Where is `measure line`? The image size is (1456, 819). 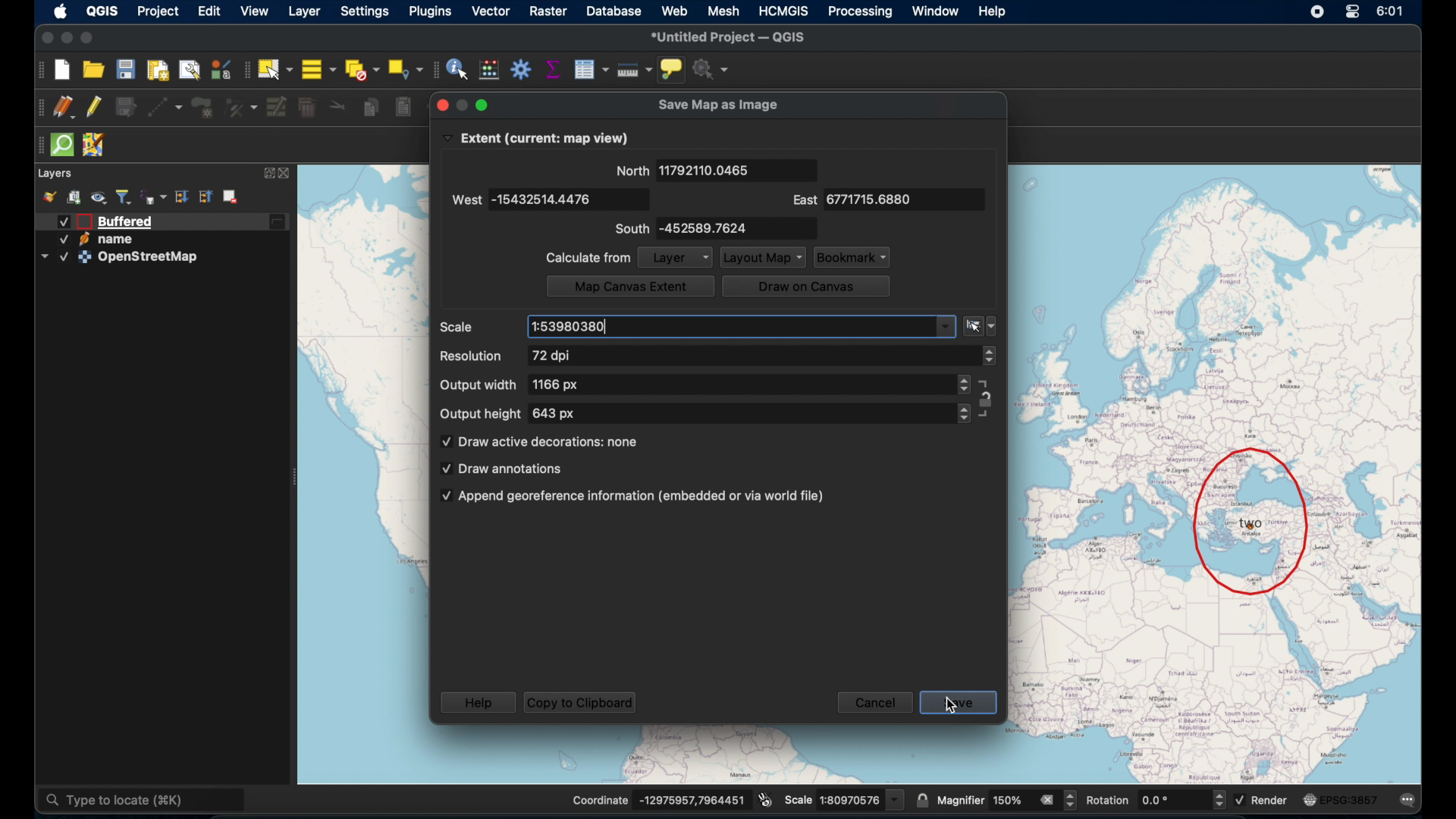
measure line is located at coordinates (633, 68).